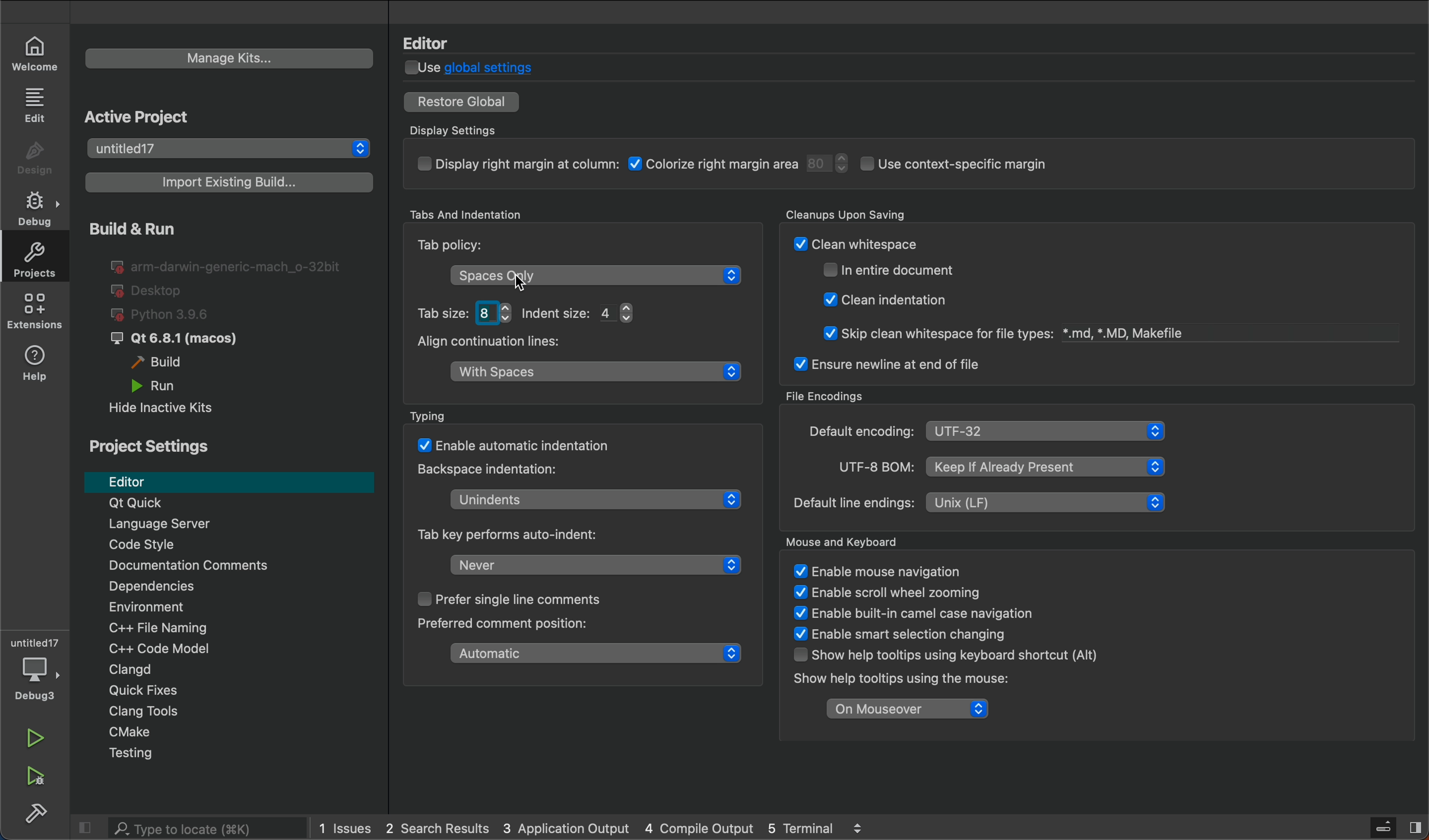 The height and width of the screenshot is (840, 1429). I want to click on Cleanups Upon Saving, so click(876, 214).